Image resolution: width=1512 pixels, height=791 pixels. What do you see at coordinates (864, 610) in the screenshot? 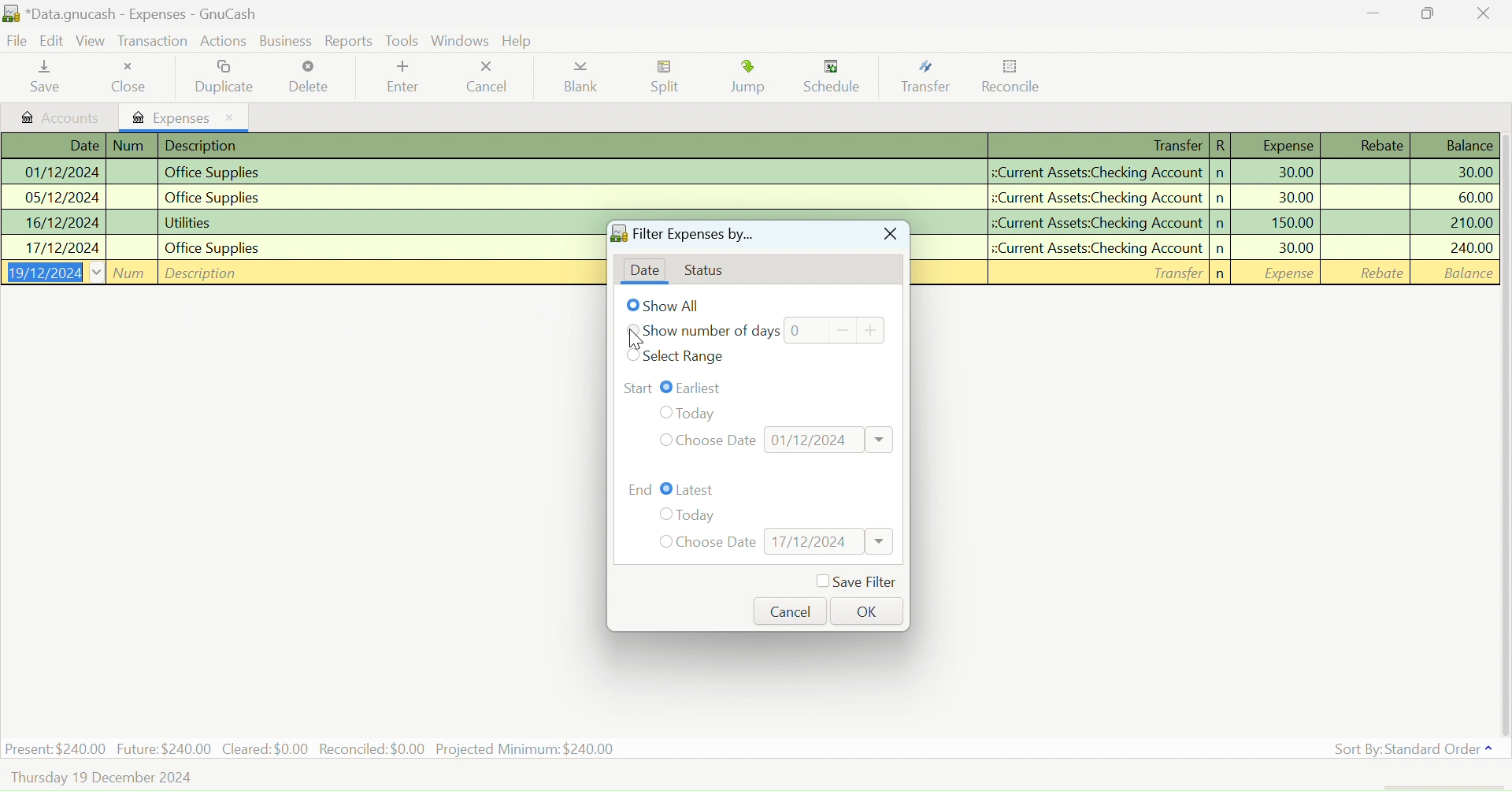
I see `OK` at bounding box center [864, 610].